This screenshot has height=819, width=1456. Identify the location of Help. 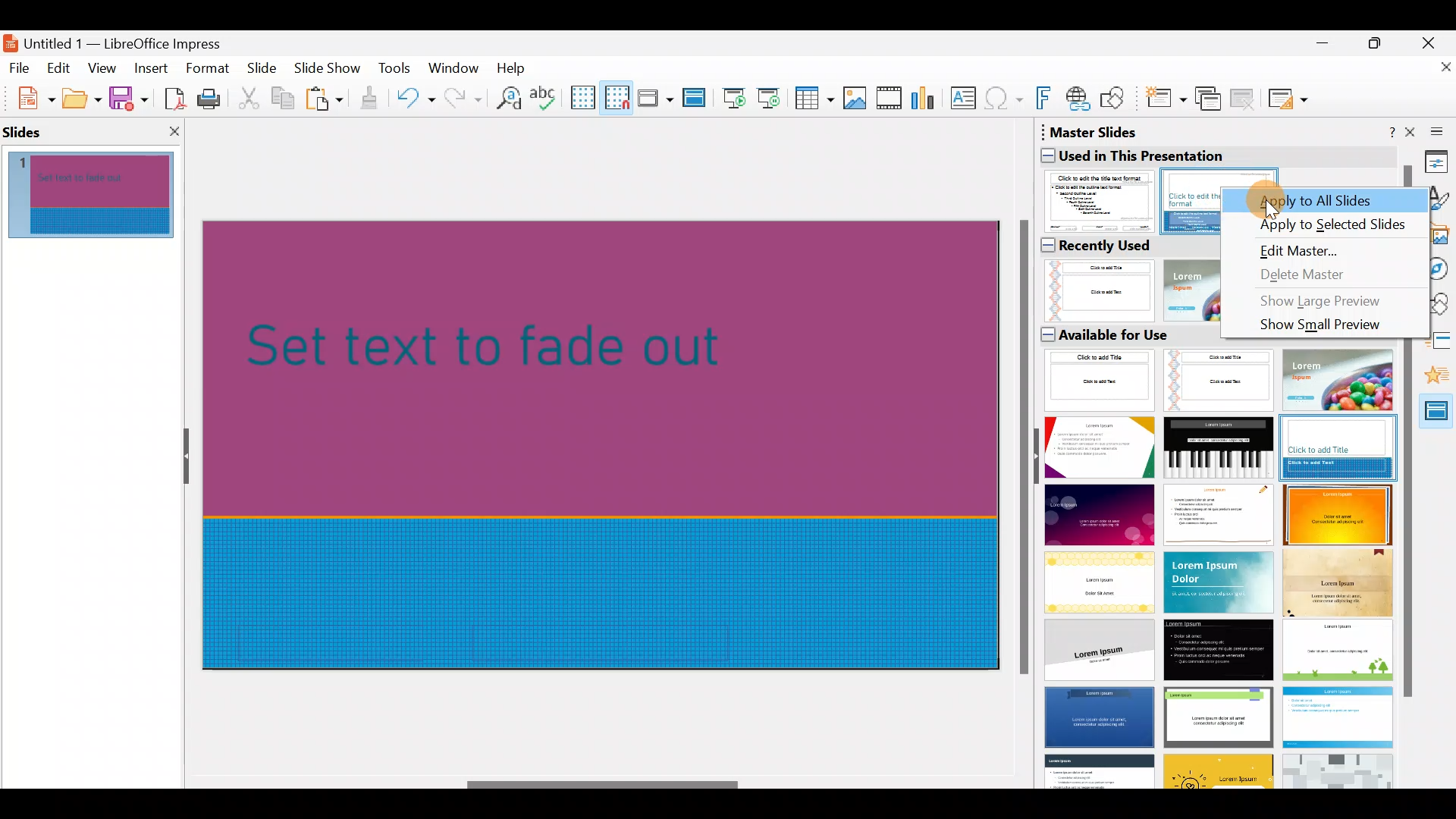
(514, 67).